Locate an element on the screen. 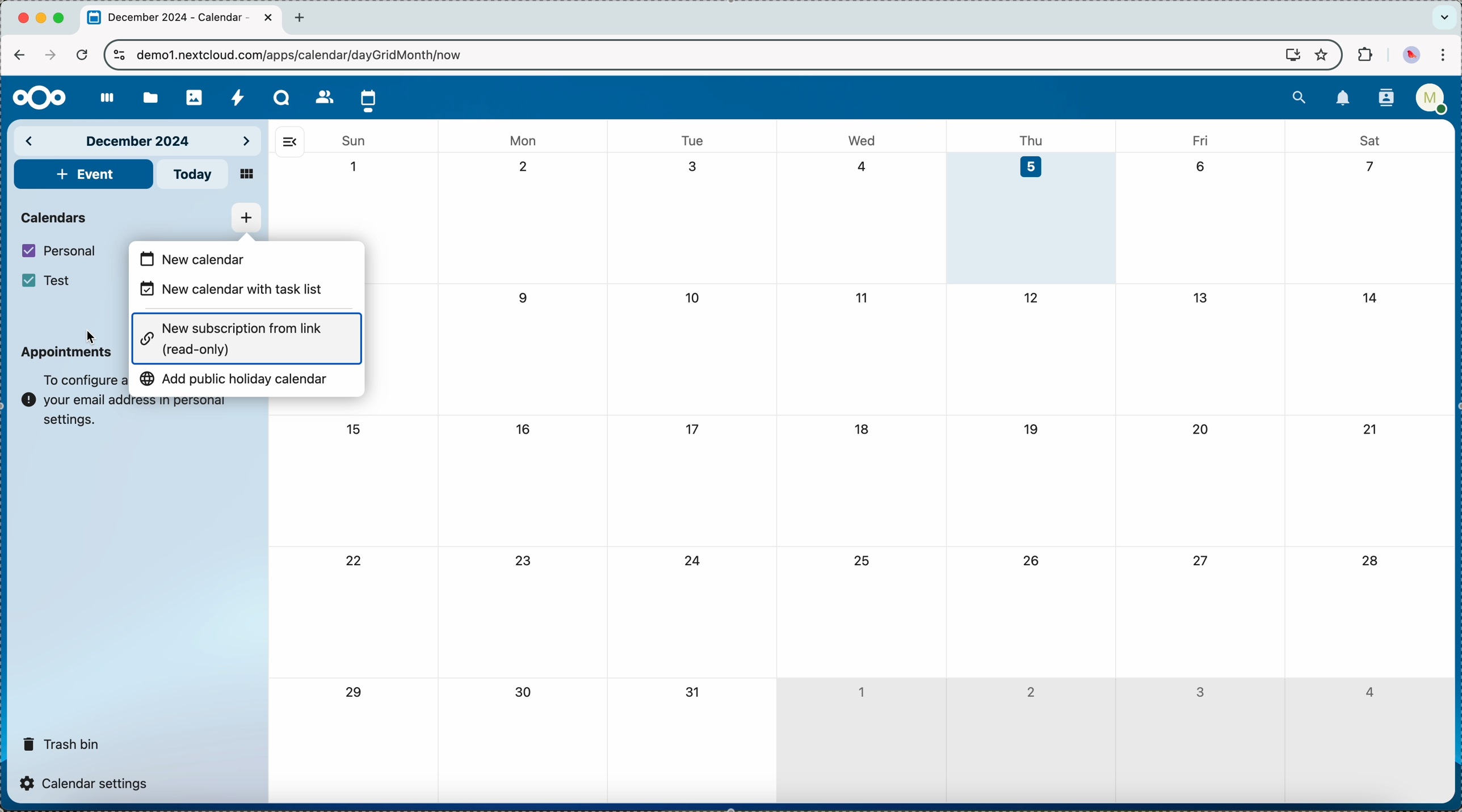  notifications is located at coordinates (1343, 99).